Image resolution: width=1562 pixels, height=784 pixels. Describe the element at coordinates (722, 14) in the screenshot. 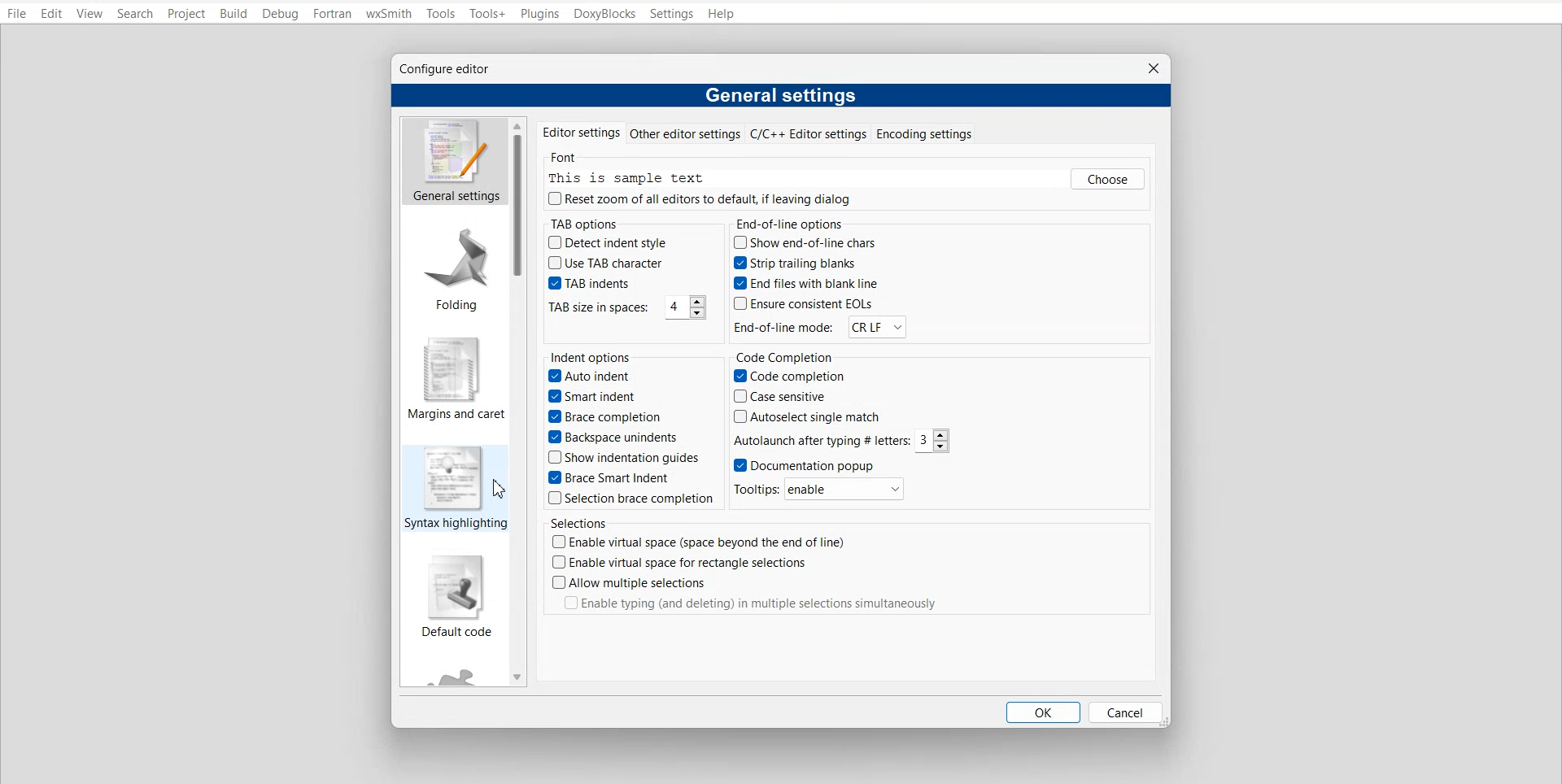

I see `Help` at that location.